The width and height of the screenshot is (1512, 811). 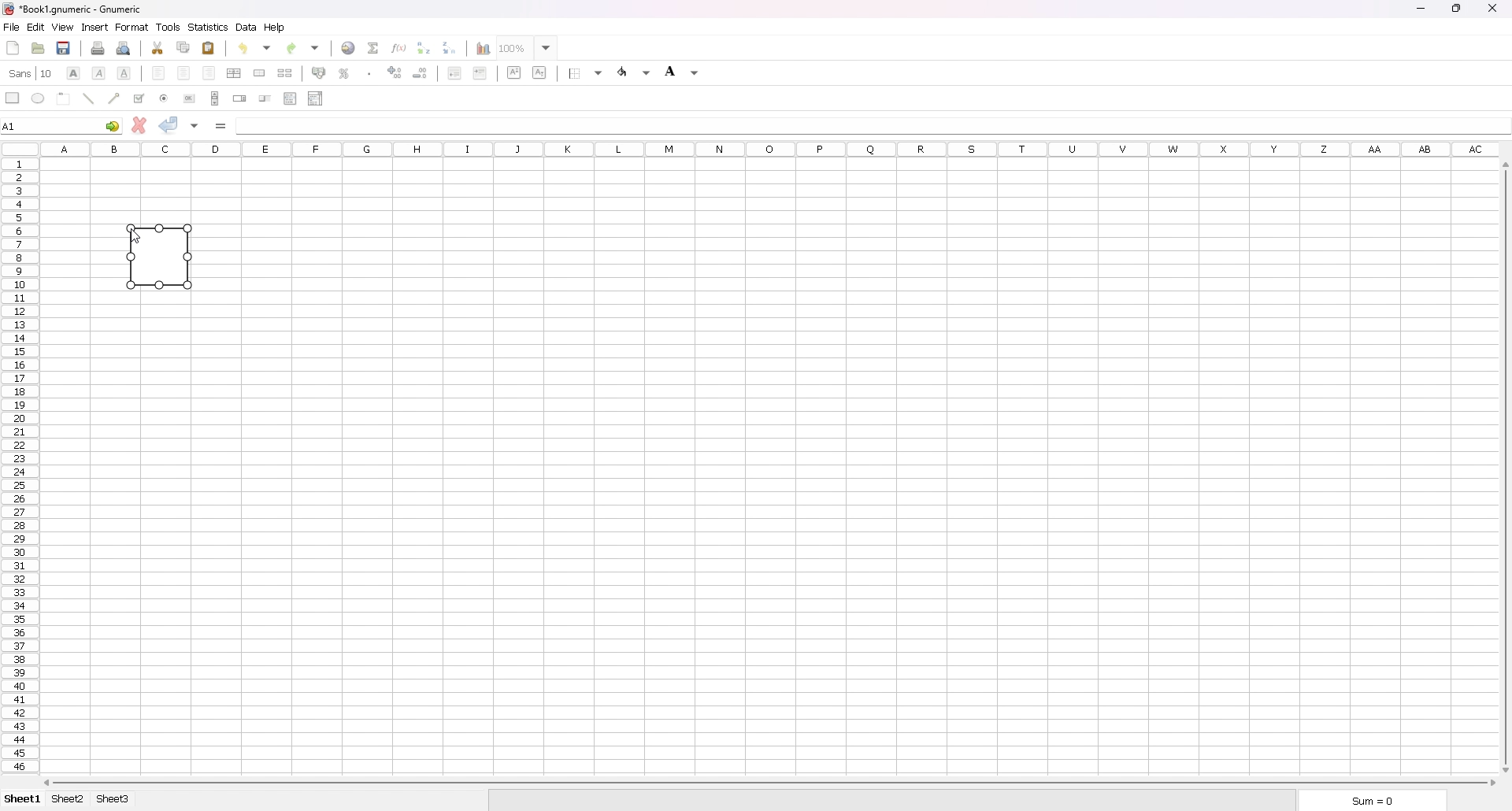 I want to click on arrowed line, so click(x=113, y=98).